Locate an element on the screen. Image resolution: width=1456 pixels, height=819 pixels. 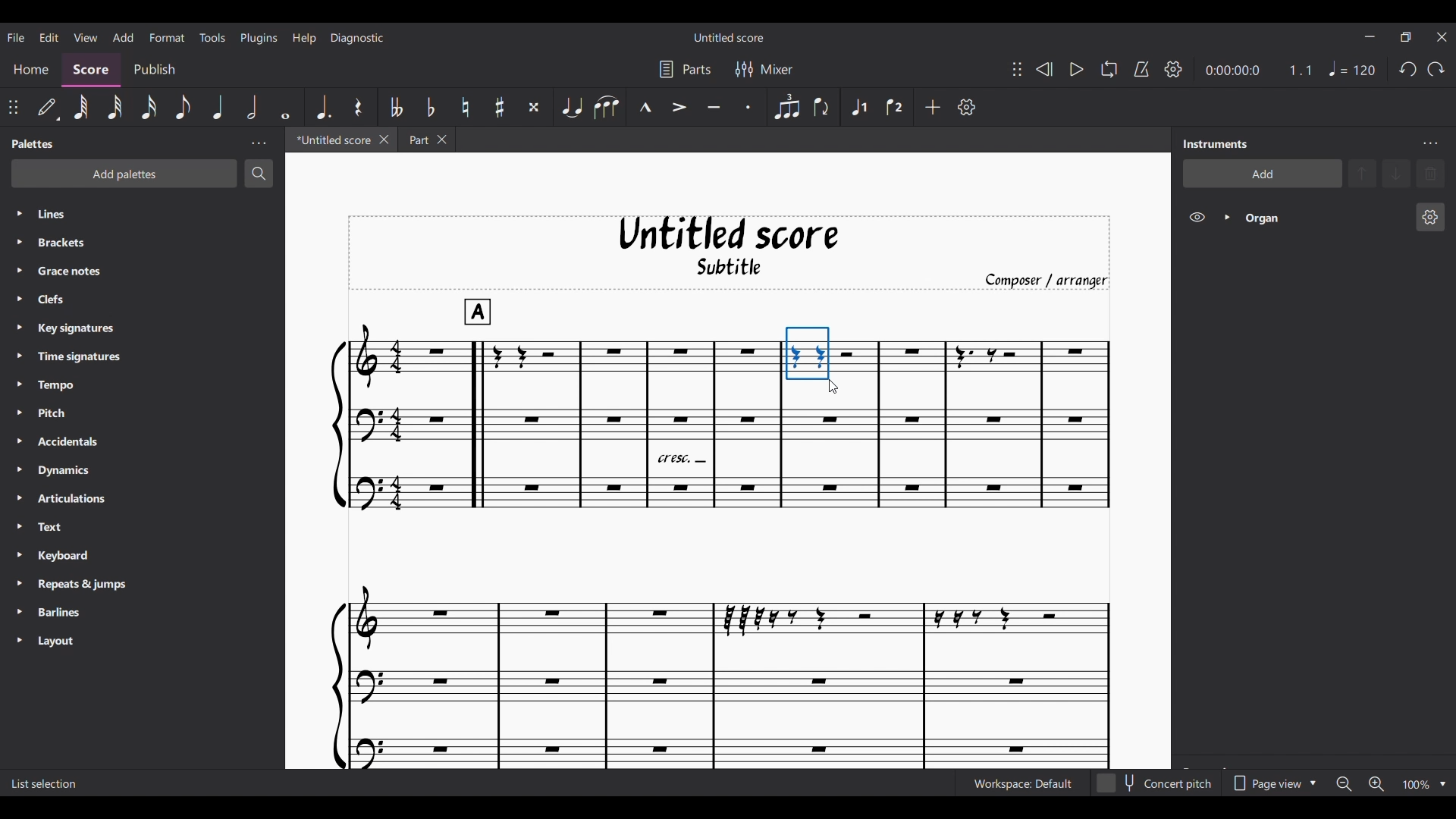
Publish section is located at coordinates (154, 71).